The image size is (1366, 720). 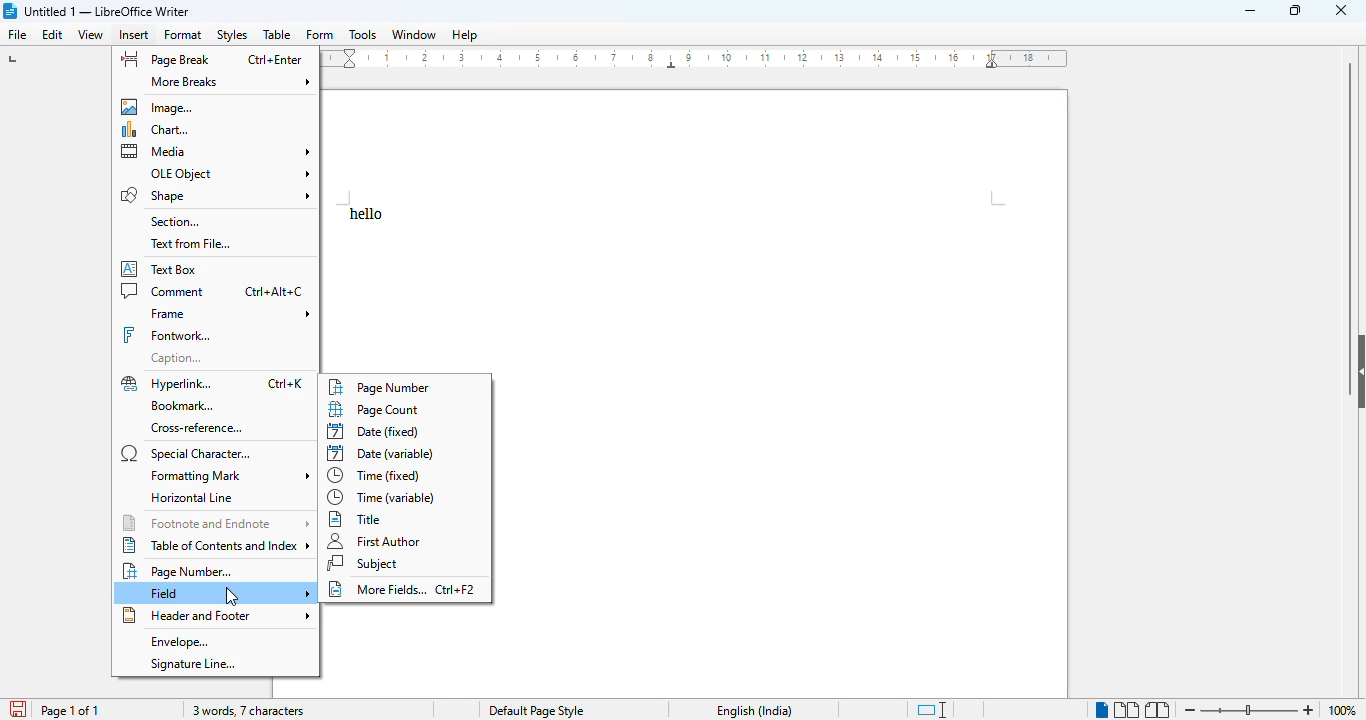 What do you see at coordinates (108, 11) in the screenshot?
I see `title` at bounding box center [108, 11].